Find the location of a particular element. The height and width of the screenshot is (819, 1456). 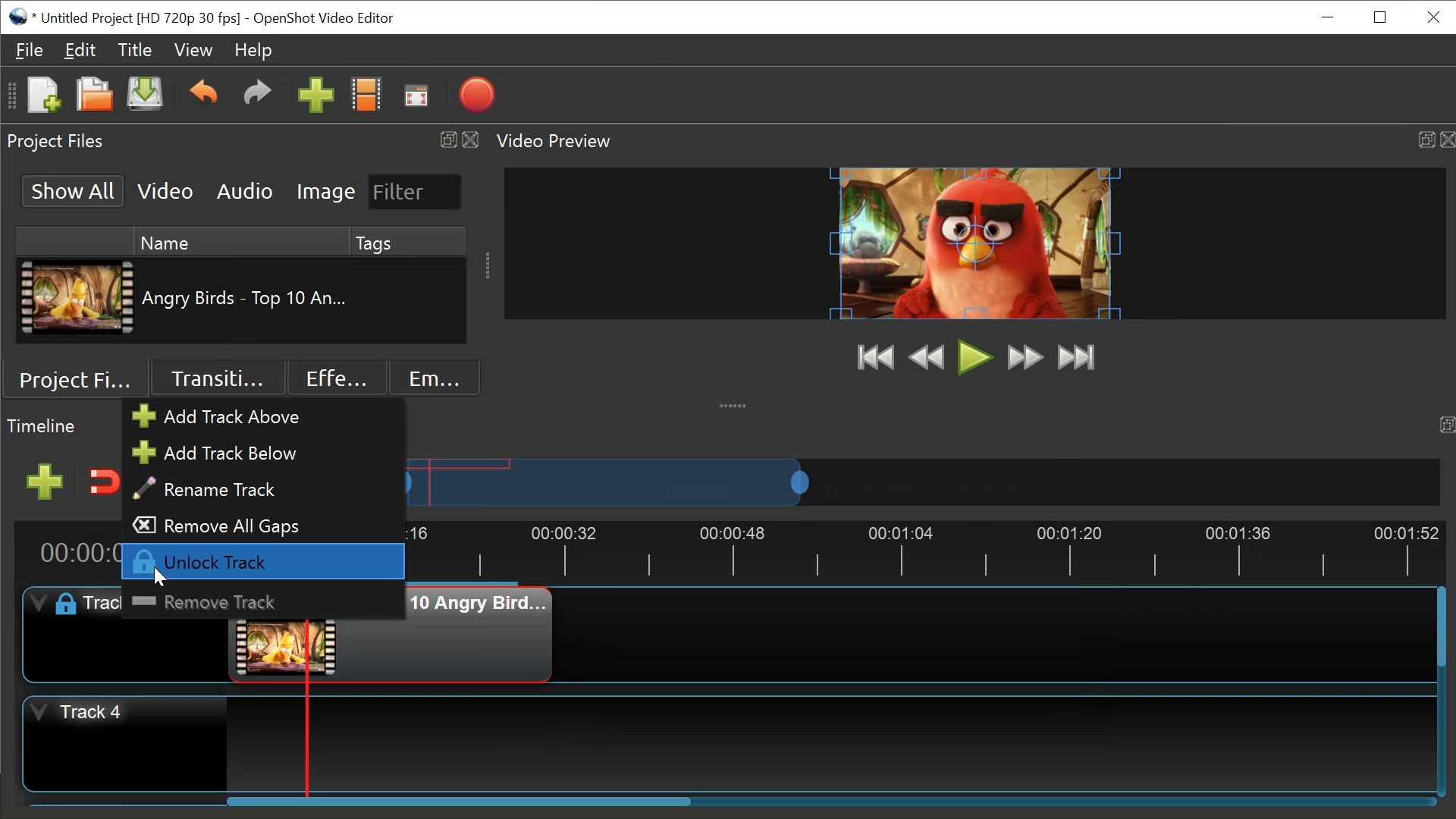

Fast Forward is located at coordinates (1023, 359).